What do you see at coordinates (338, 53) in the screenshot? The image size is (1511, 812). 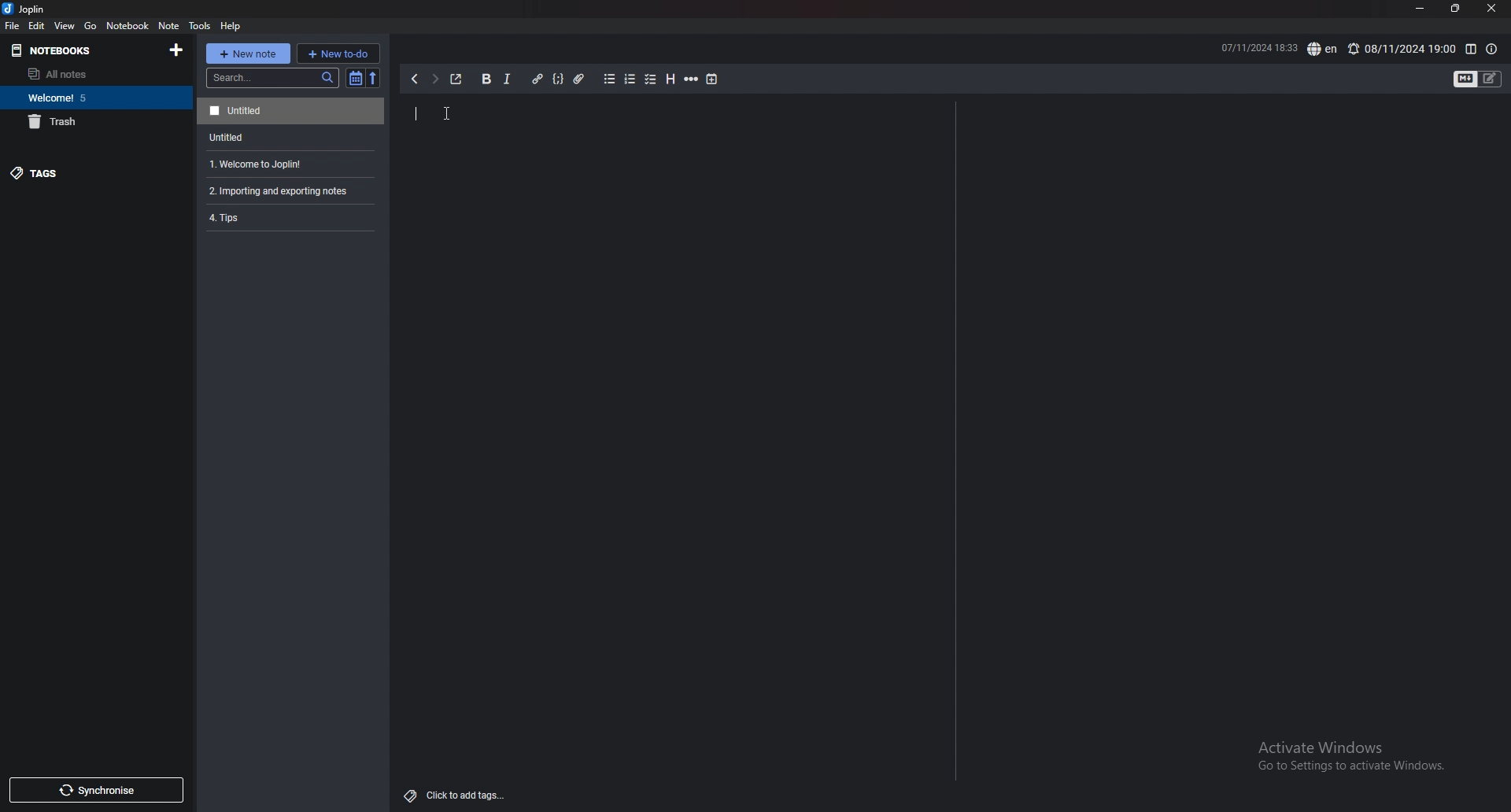 I see `new todo` at bounding box center [338, 53].